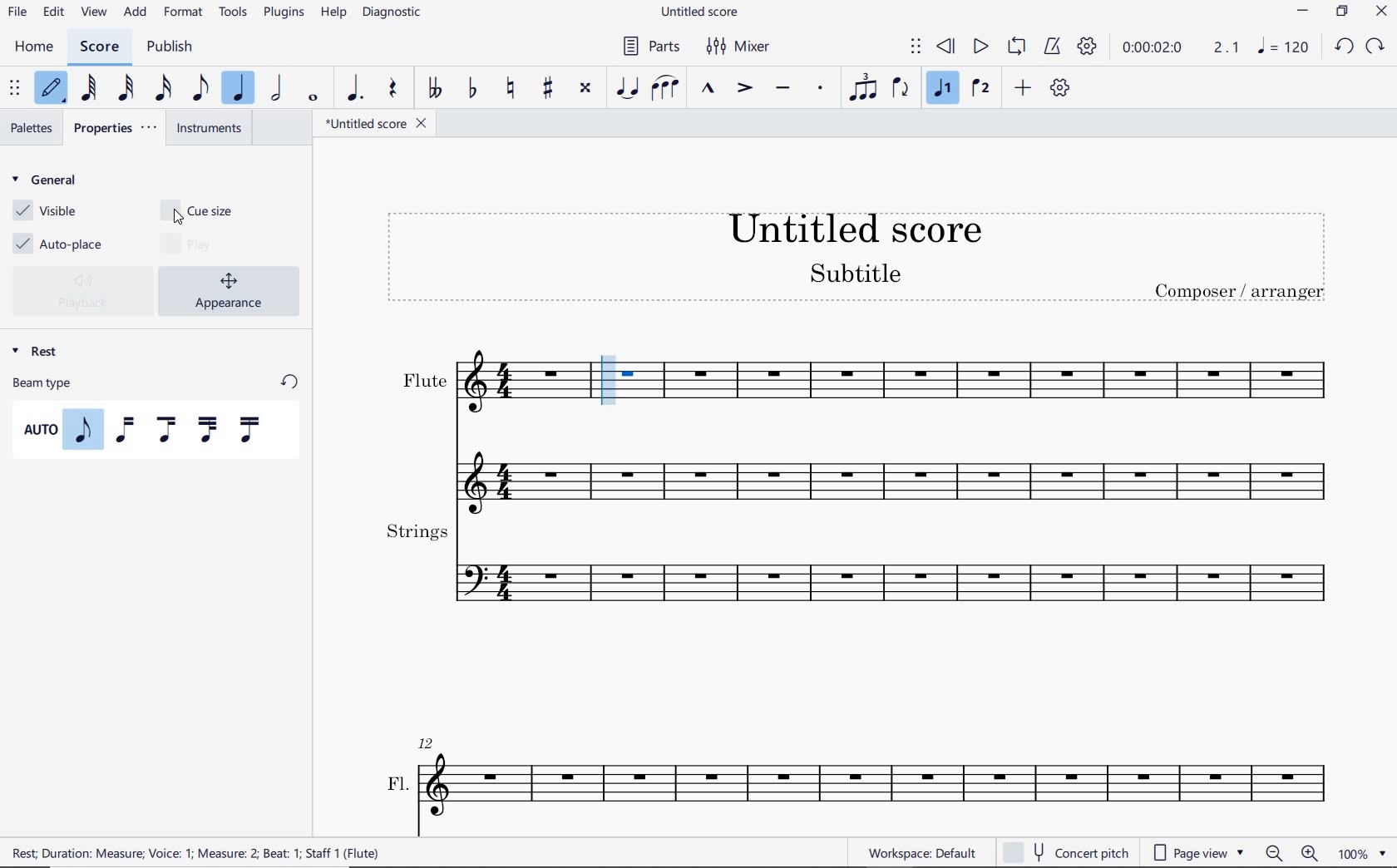 This screenshot has width=1397, height=868. What do you see at coordinates (822, 89) in the screenshot?
I see `STACCATO` at bounding box center [822, 89].